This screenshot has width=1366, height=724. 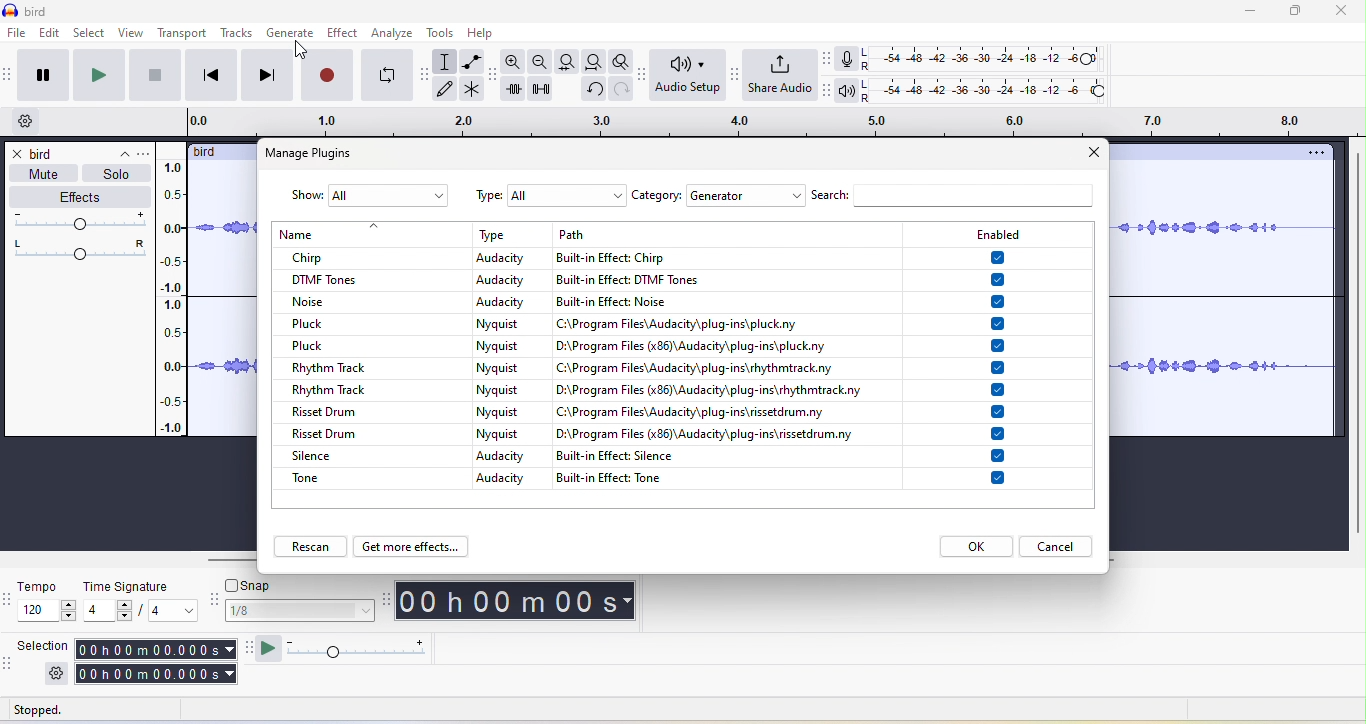 What do you see at coordinates (850, 93) in the screenshot?
I see `playback meter` at bounding box center [850, 93].